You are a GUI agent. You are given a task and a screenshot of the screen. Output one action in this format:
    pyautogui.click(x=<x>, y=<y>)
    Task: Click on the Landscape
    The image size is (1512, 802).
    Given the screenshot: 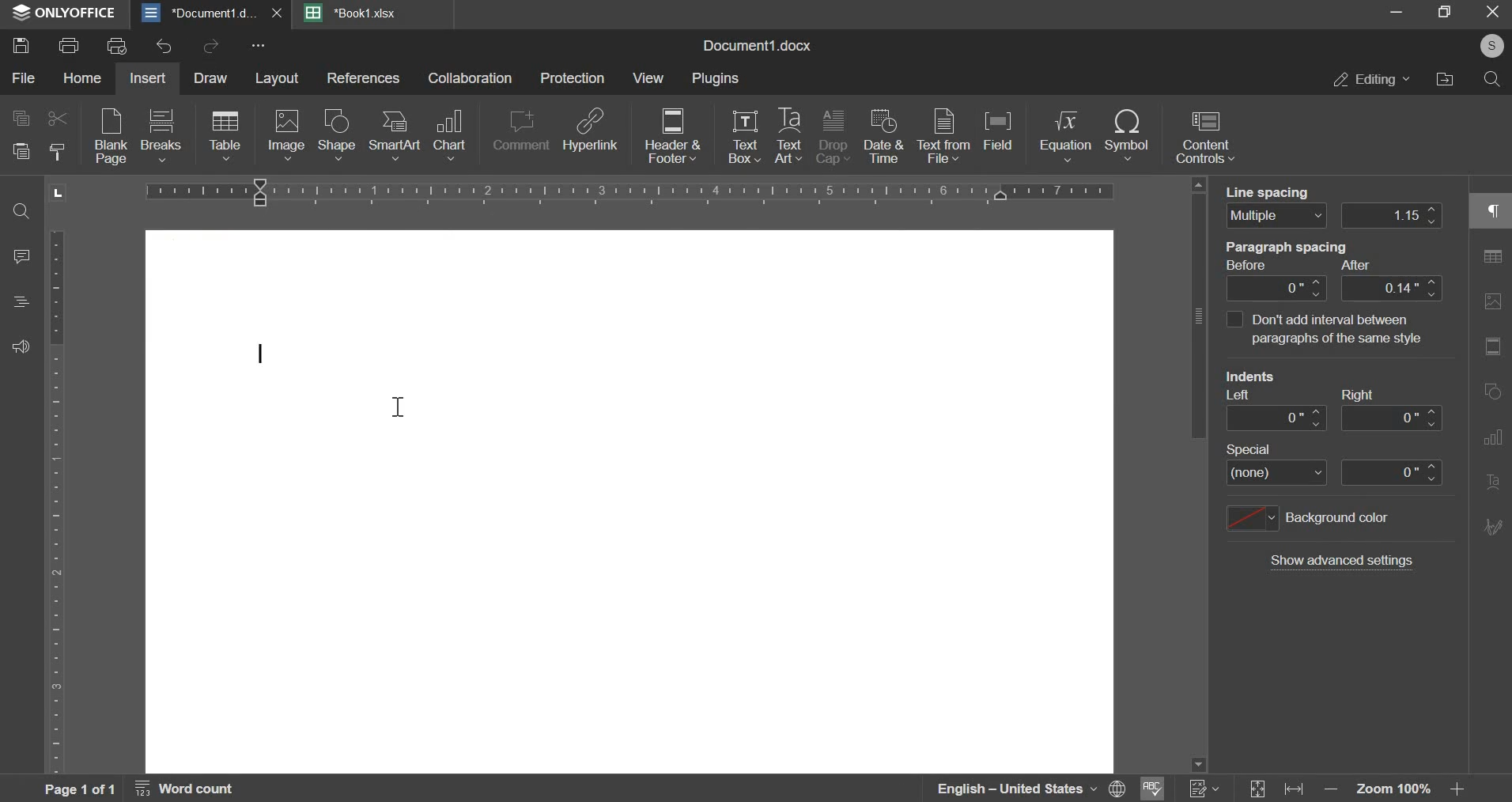 What is the action you would take?
    pyautogui.click(x=60, y=193)
    